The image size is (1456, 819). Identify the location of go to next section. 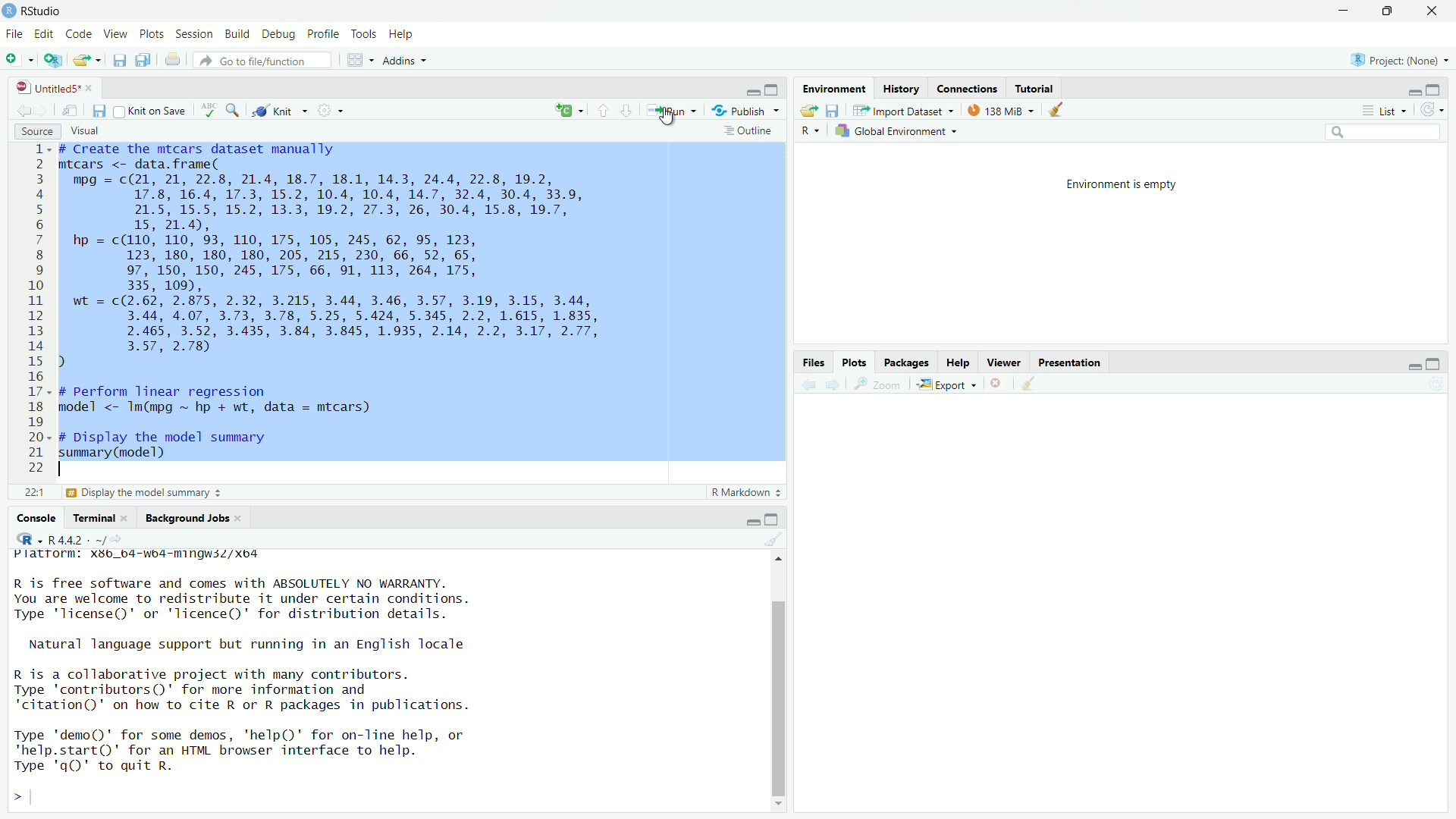
(627, 110).